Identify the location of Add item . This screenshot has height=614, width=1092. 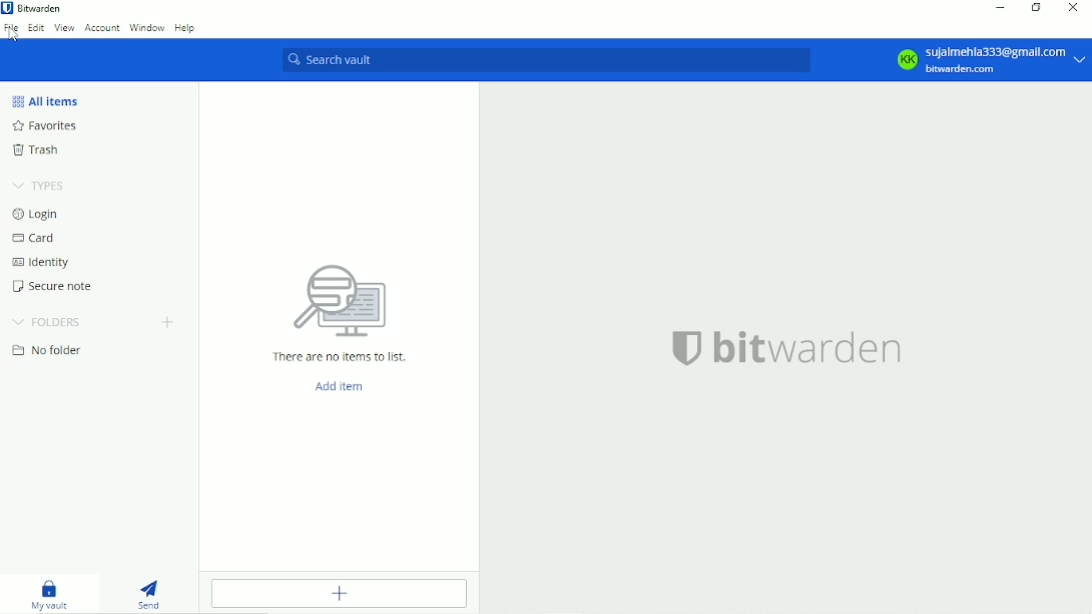
(343, 595).